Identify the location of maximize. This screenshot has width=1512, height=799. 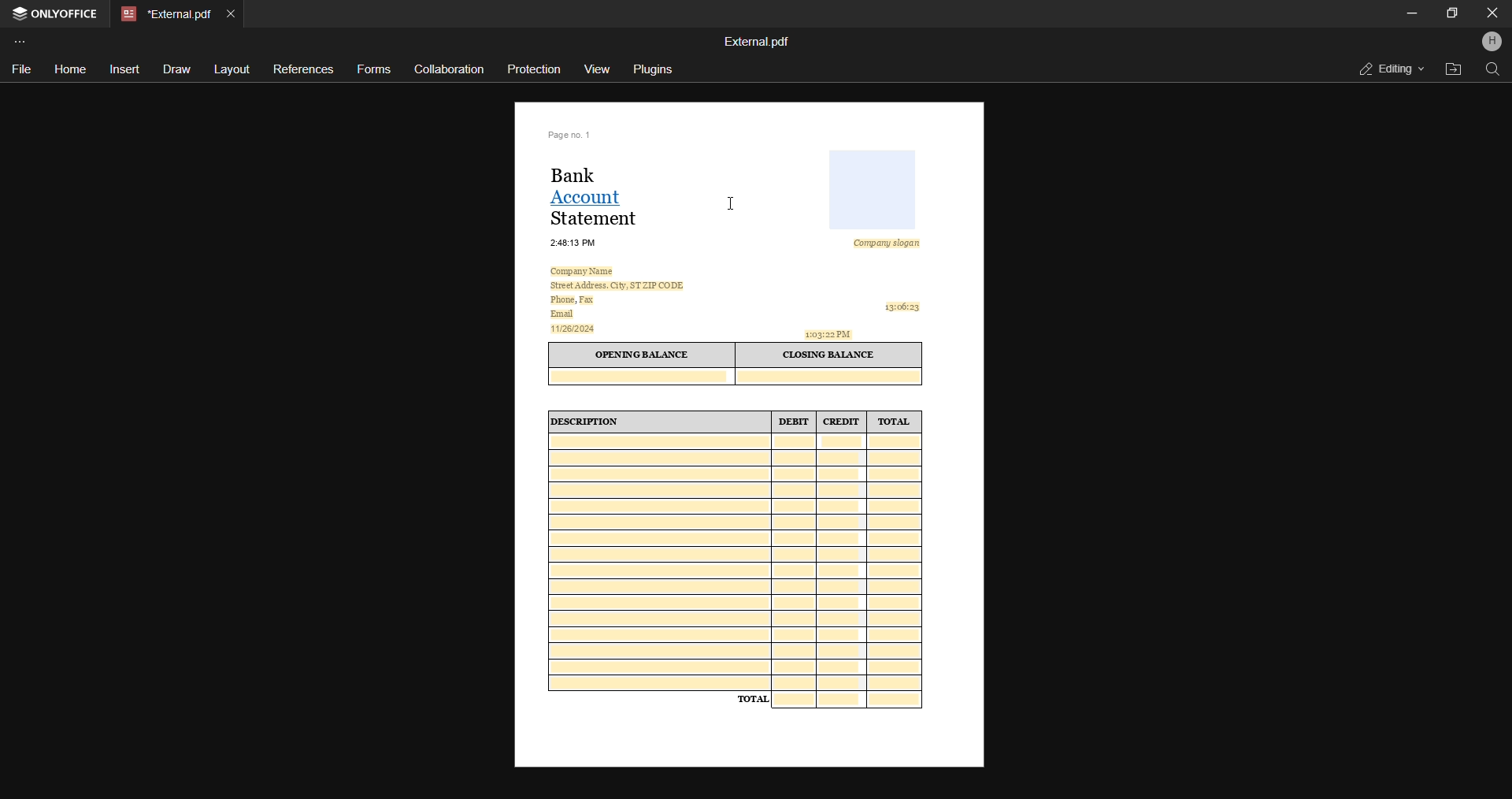
(1451, 12).